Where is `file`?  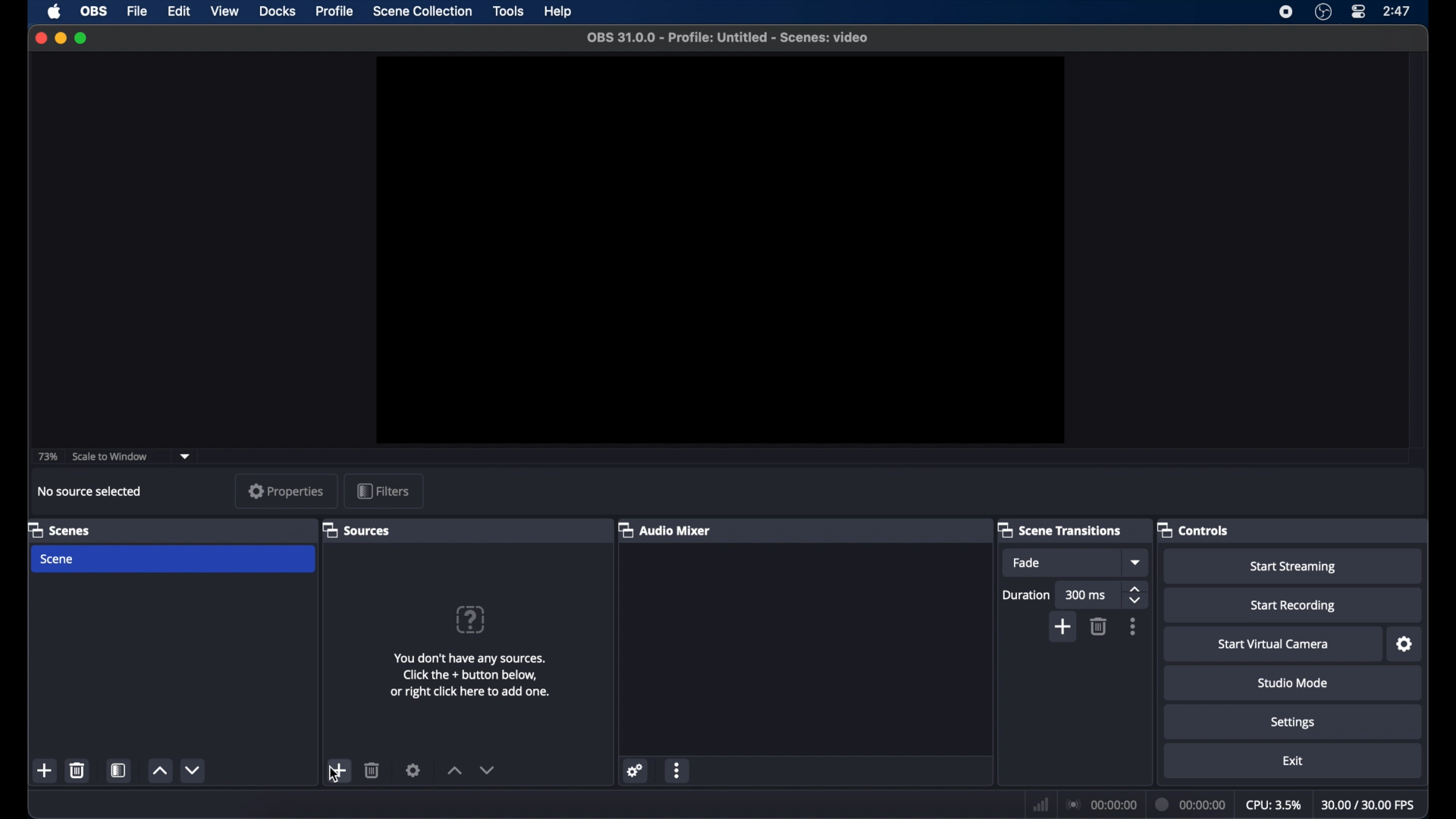
file is located at coordinates (138, 11).